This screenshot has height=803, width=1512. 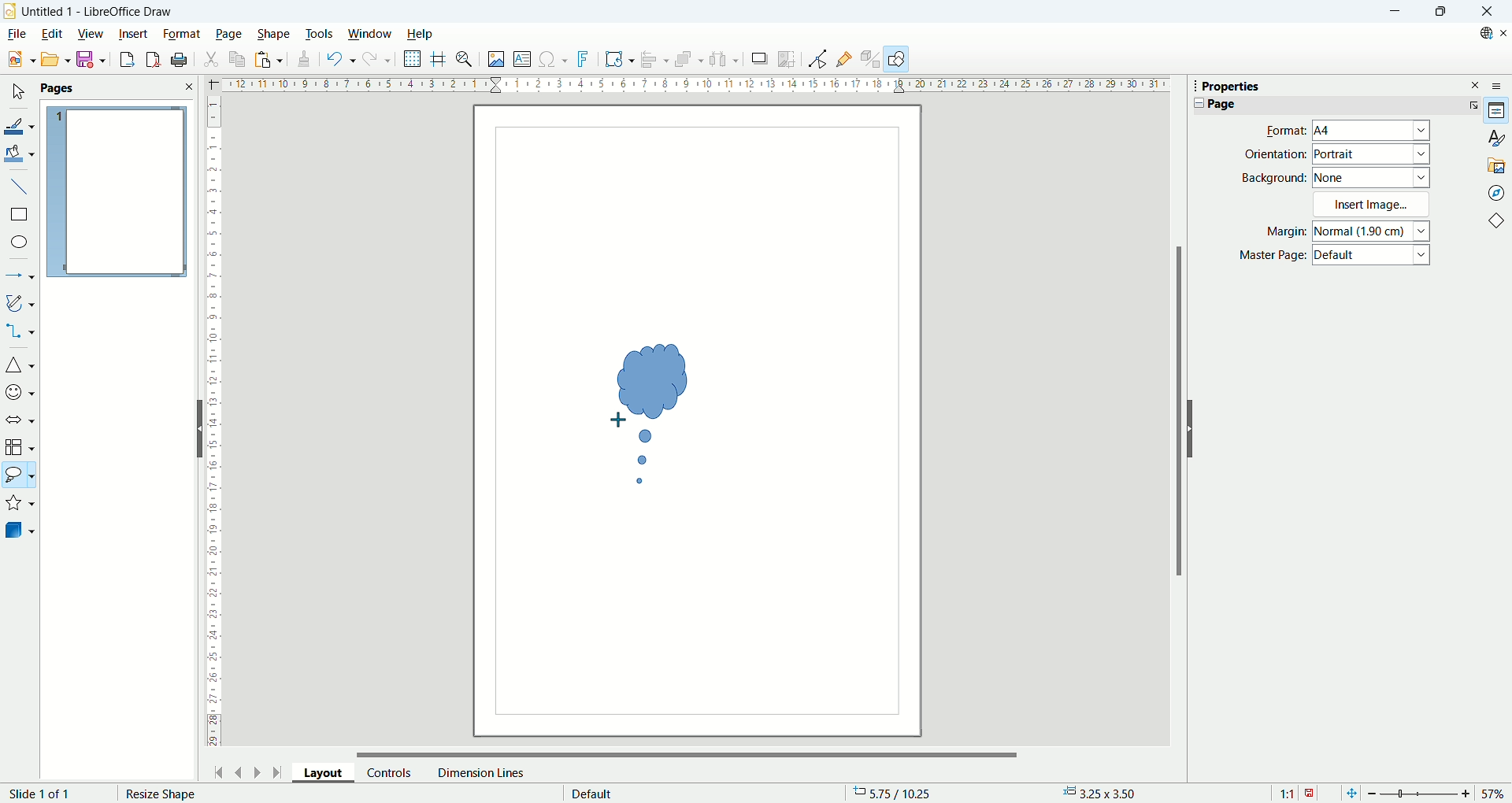 What do you see at coordinates (161, 794) in the screenshot?
I see `Resize shape` at bounding box center [161, 794].